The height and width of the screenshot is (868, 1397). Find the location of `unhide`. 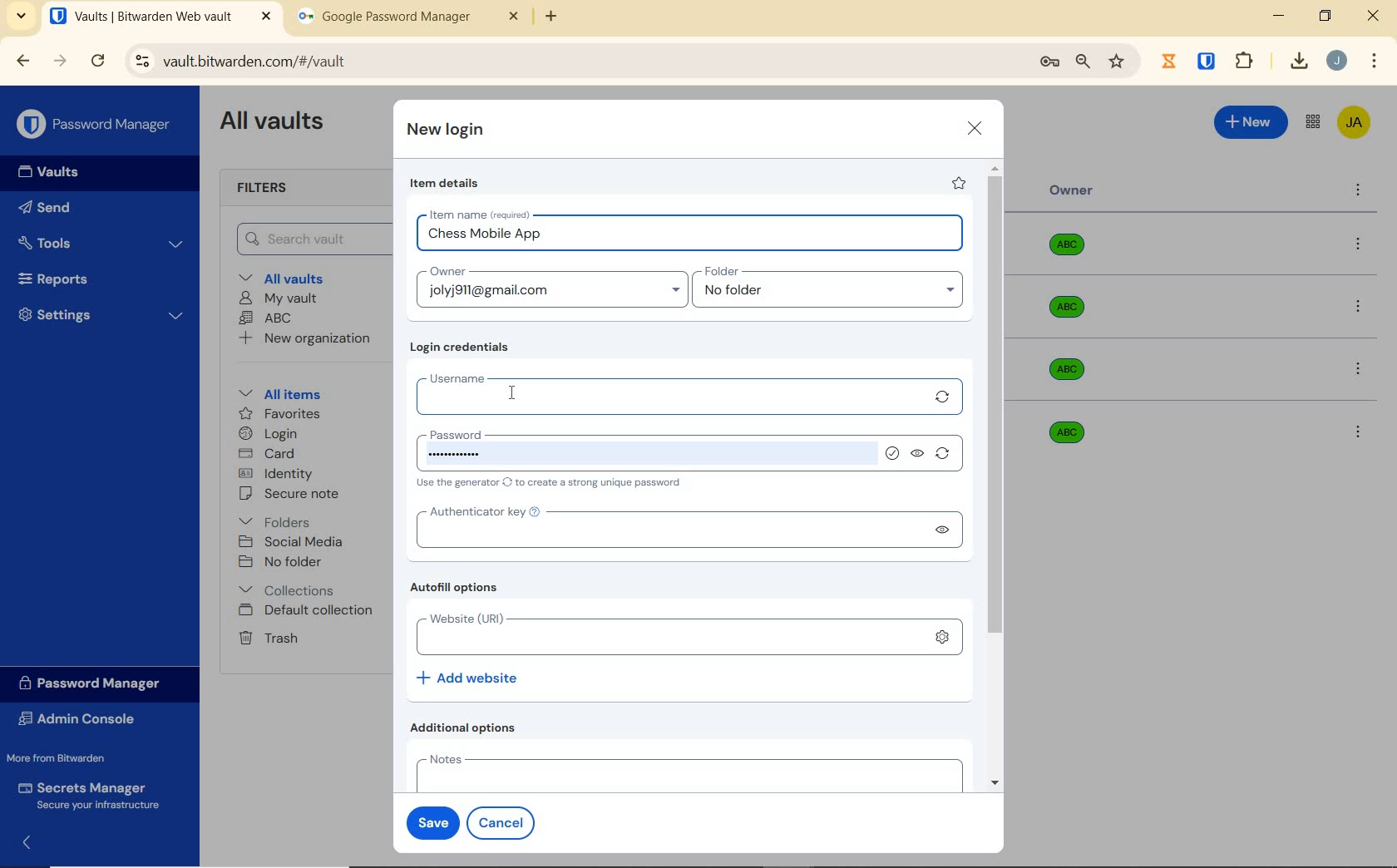

unhide is located at coordinates (946, 534).